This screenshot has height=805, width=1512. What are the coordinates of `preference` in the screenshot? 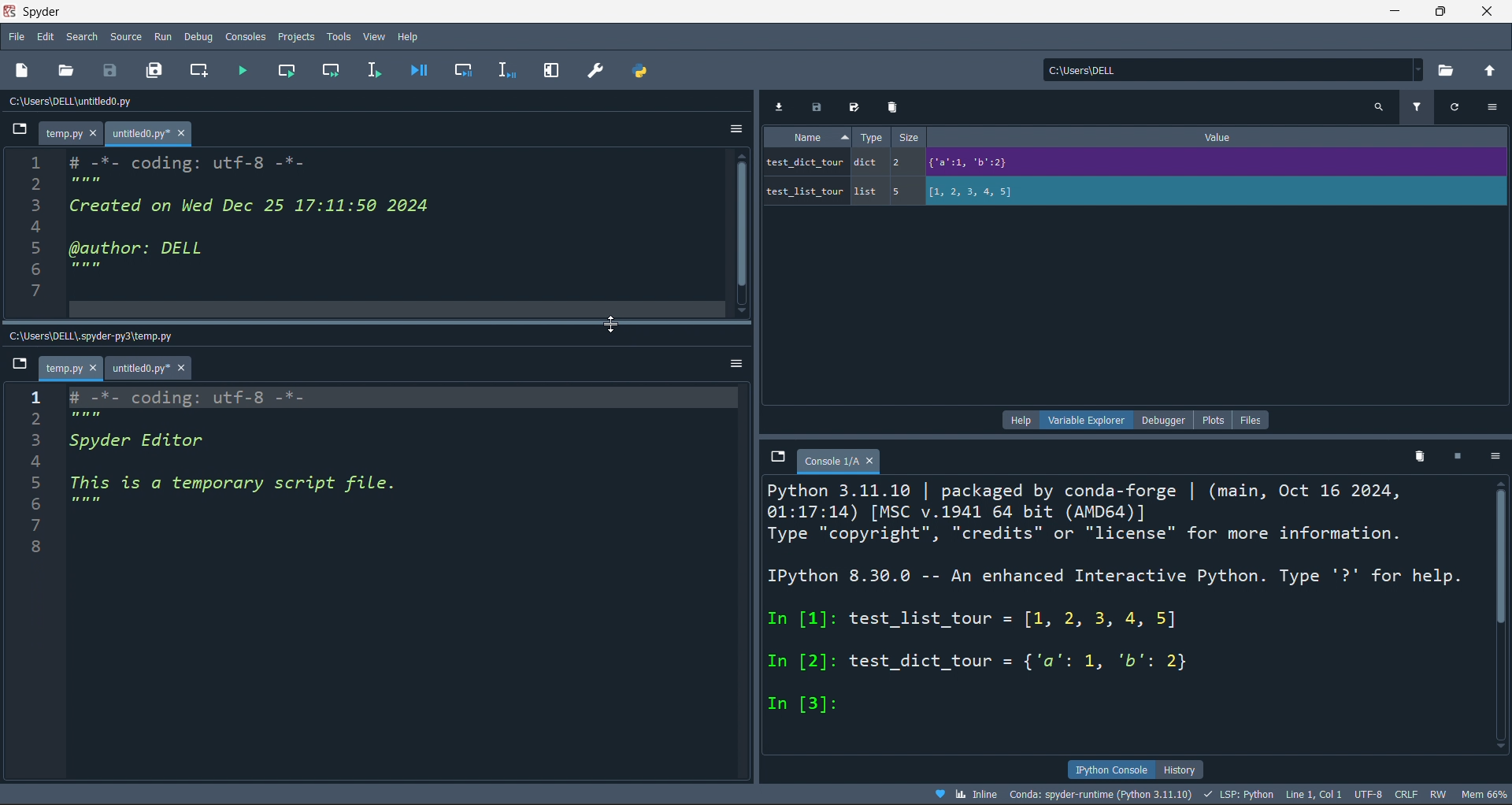 It's located at (592, 70).